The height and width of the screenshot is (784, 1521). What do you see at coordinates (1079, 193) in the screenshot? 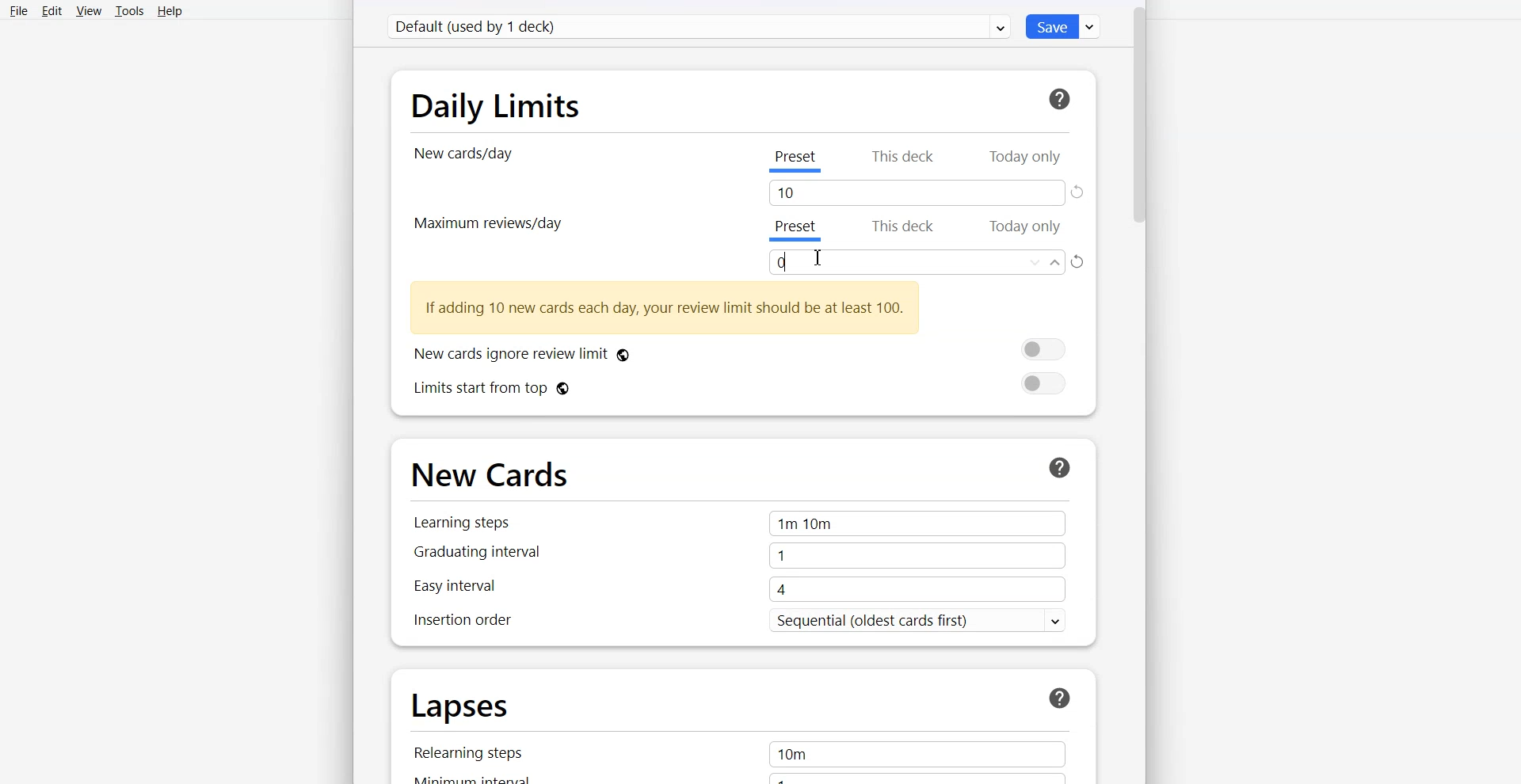
I see `Refresh` at bounding box center [1079, 193].